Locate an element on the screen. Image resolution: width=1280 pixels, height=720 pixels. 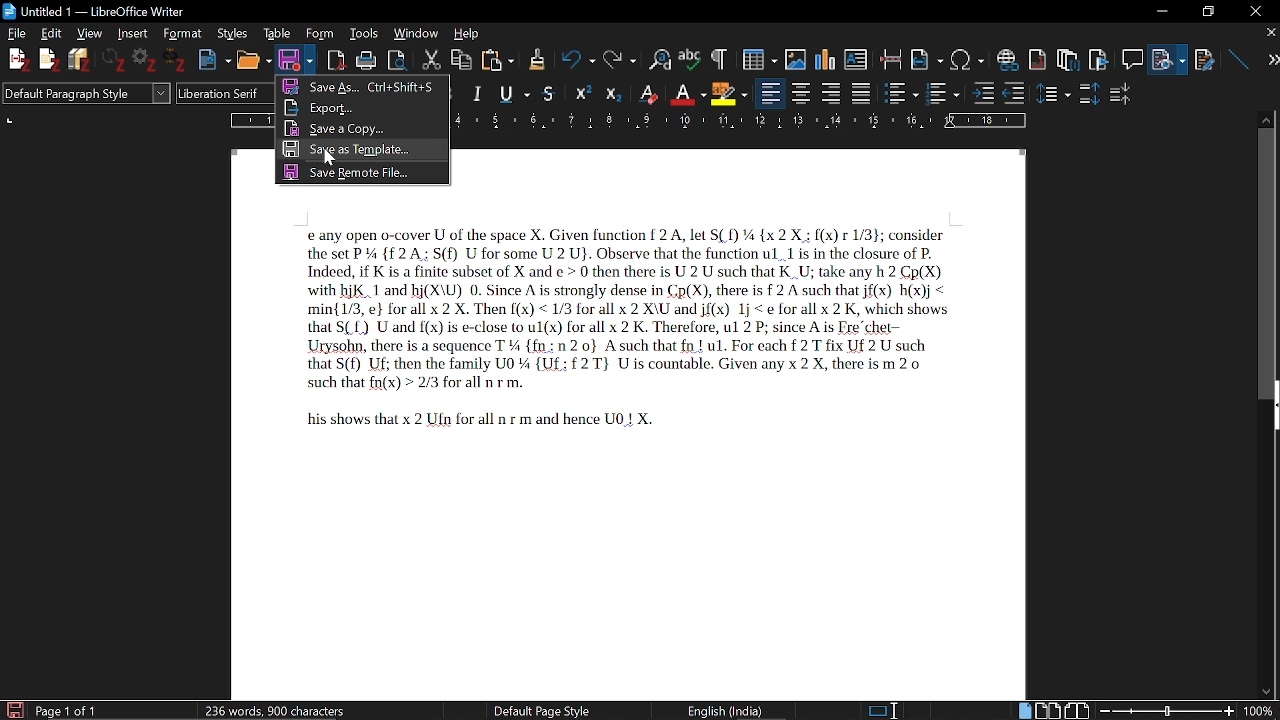
Redo is located at coordinates (617, 58).